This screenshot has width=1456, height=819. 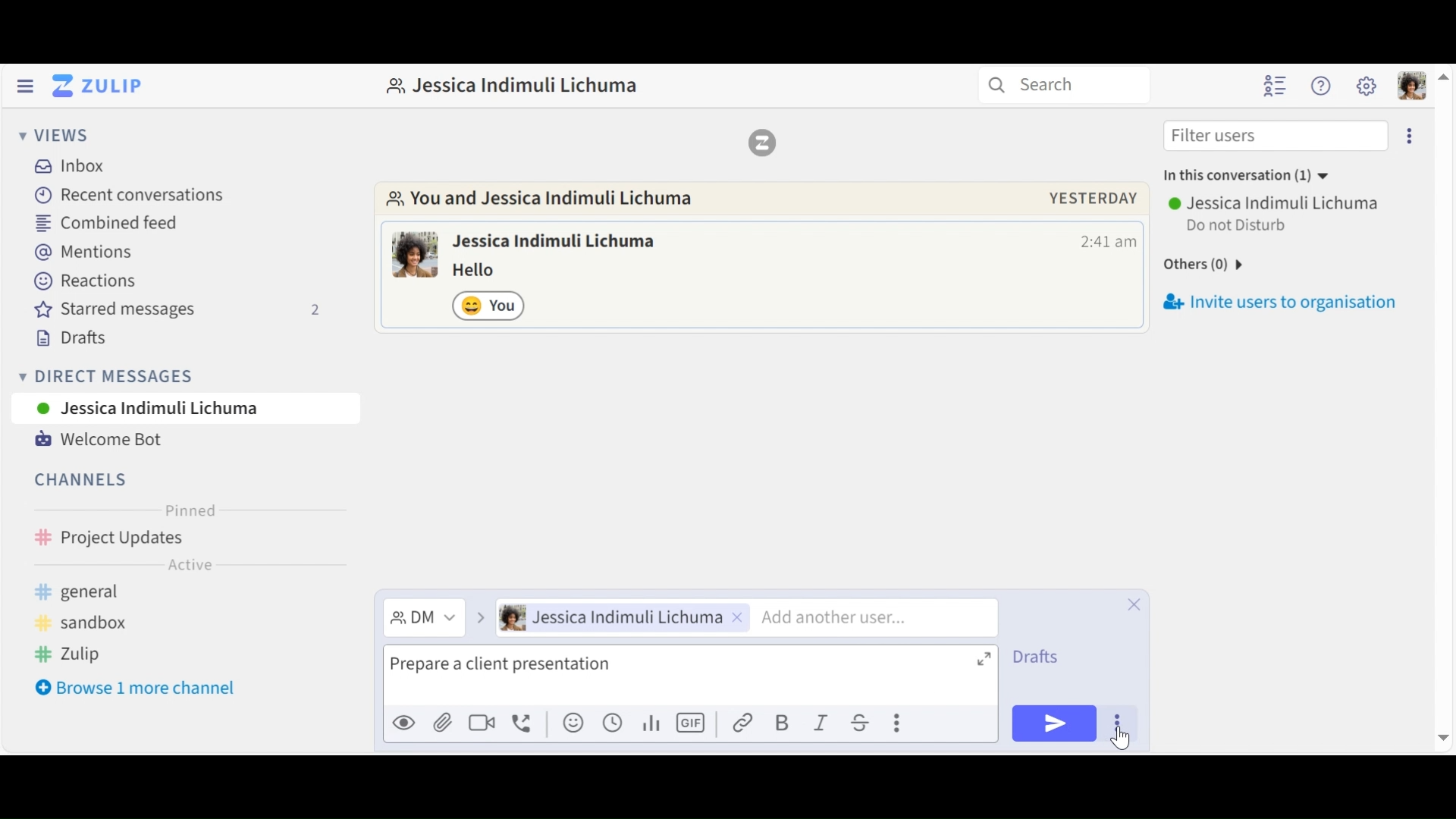 I want to click on Drafts, so click(x=81, y=340).